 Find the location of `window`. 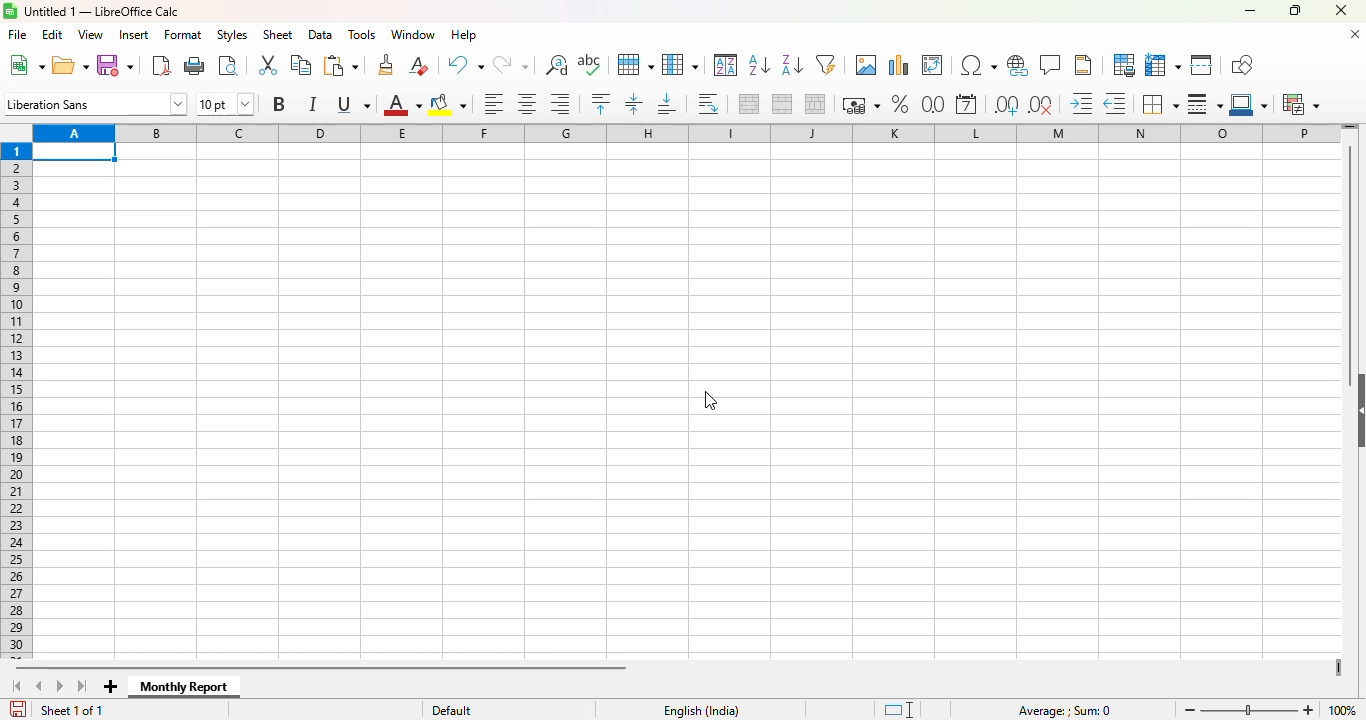

window is located at coordinates (412, 35).